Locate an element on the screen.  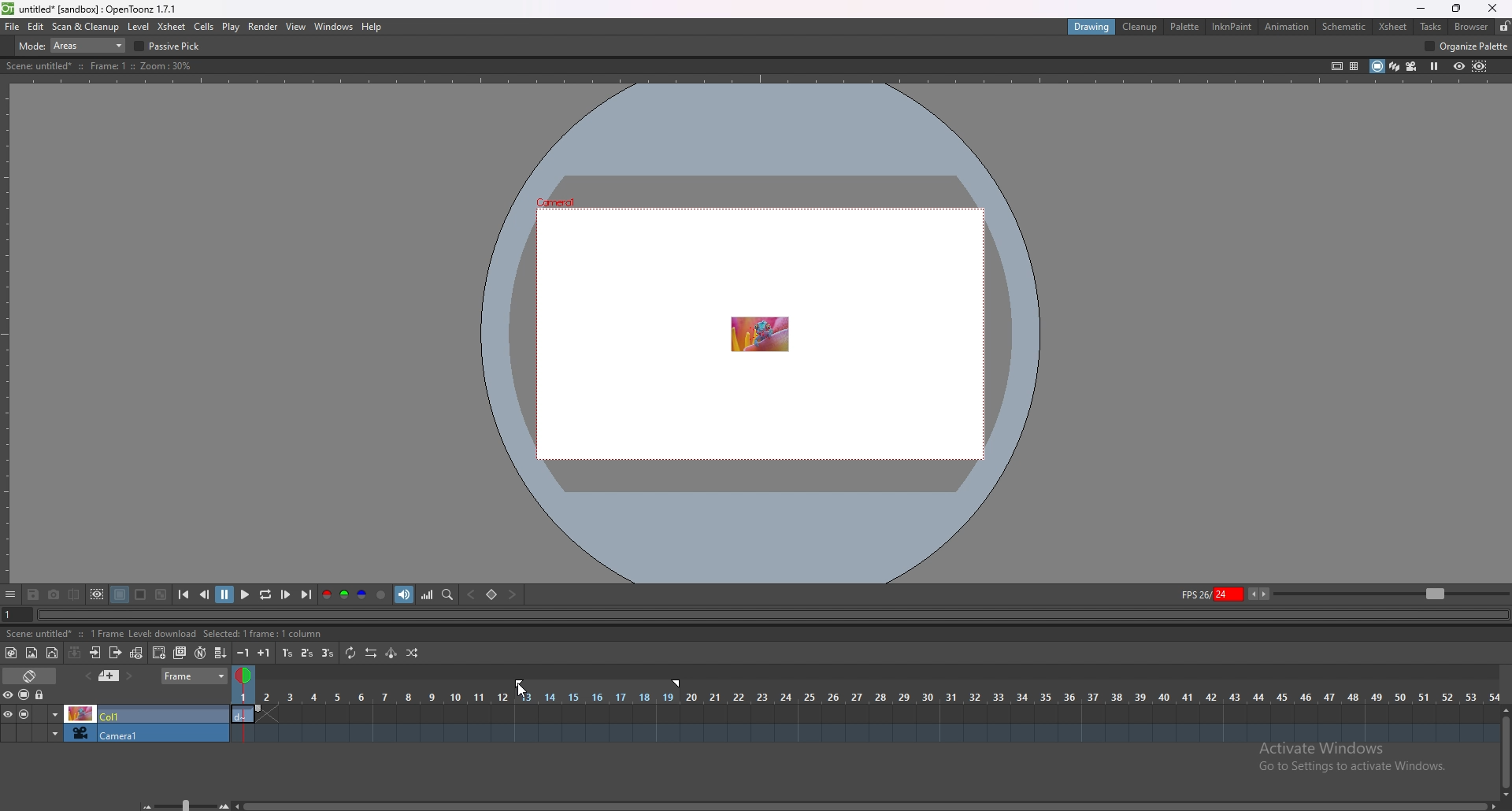
resize is located at coordinates (1456, 9).